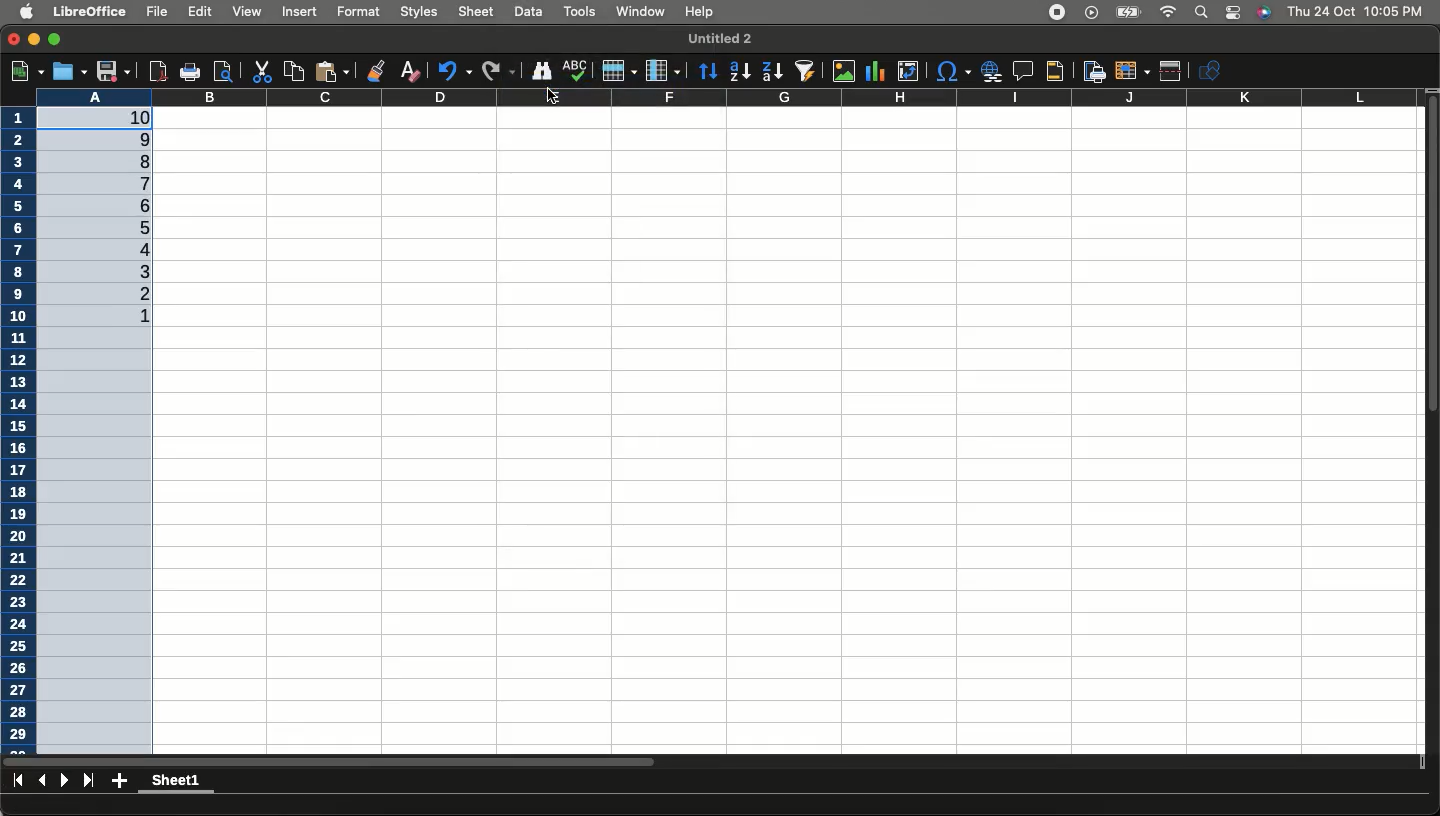  I want to click on Sort ascending, so click(740, 71).